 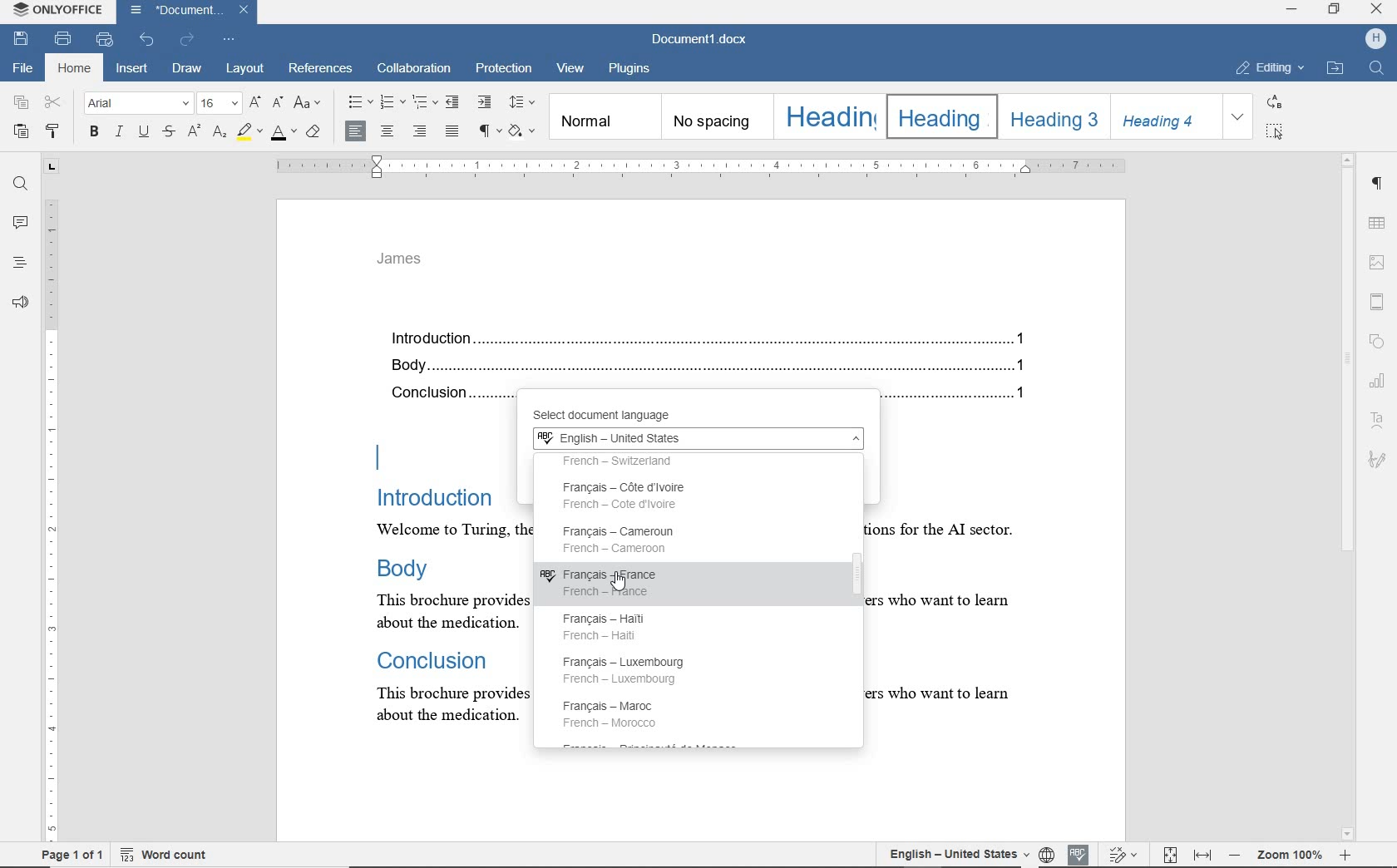 I want to click on undo, so click(x=148, y=38).